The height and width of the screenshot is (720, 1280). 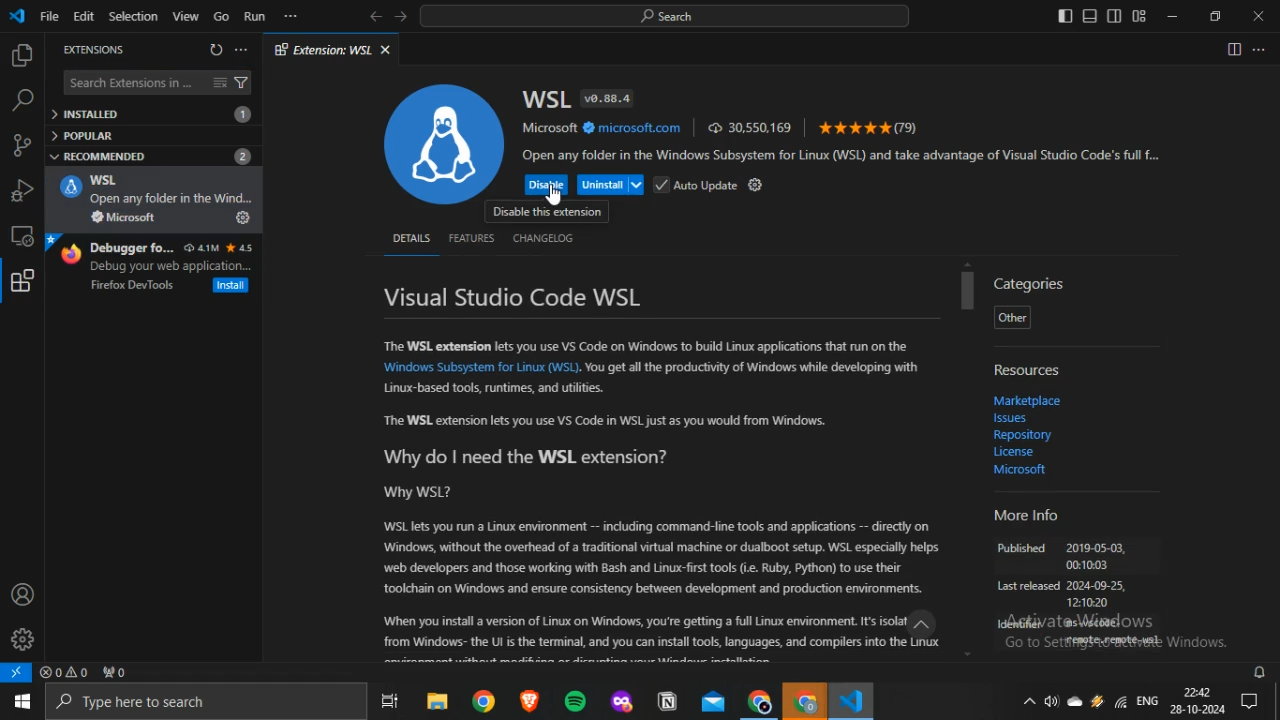 I want to click on Split editor, so click(x=1234, y=49).